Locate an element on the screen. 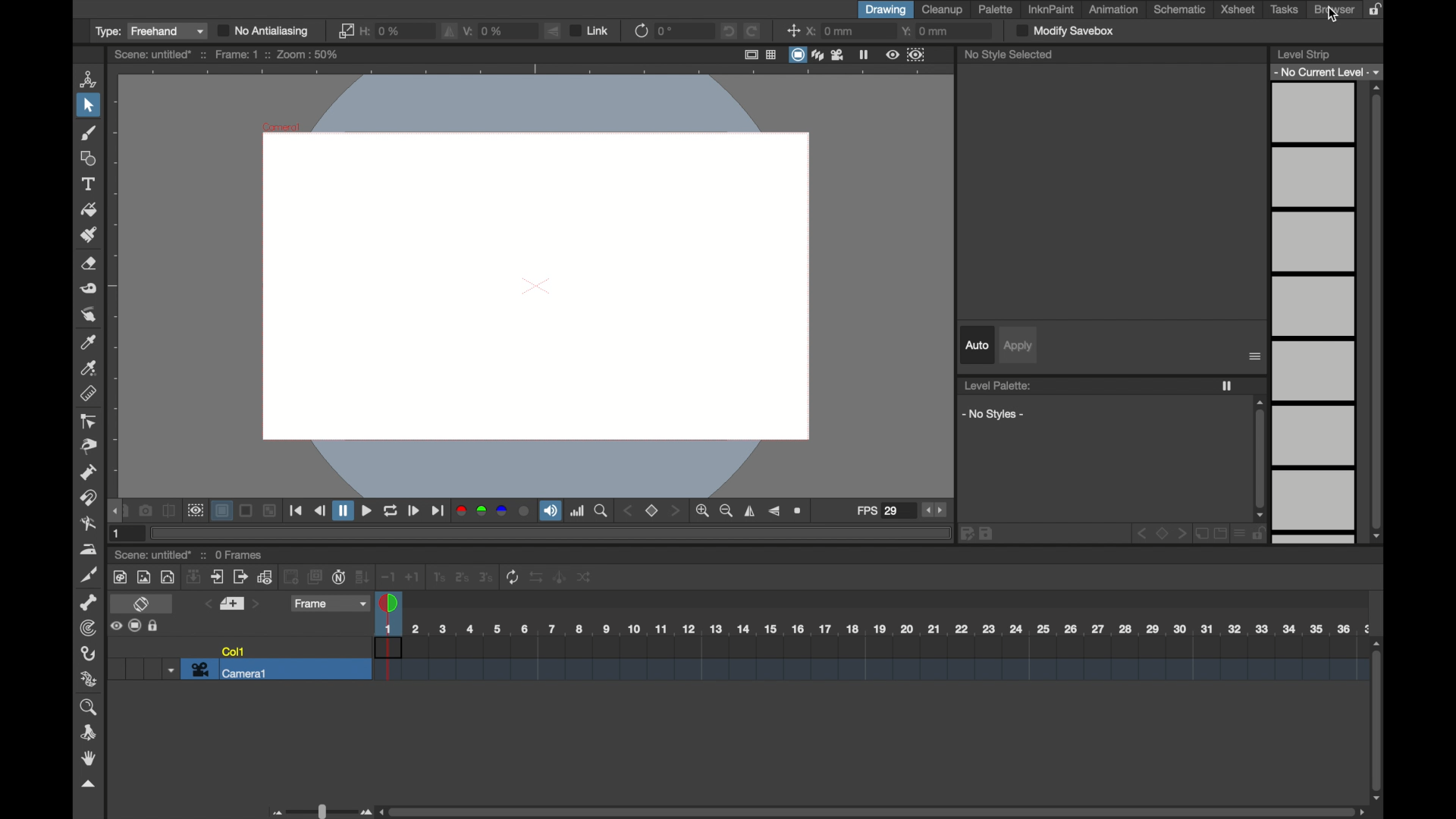  down is located at coordinates (196, 576).